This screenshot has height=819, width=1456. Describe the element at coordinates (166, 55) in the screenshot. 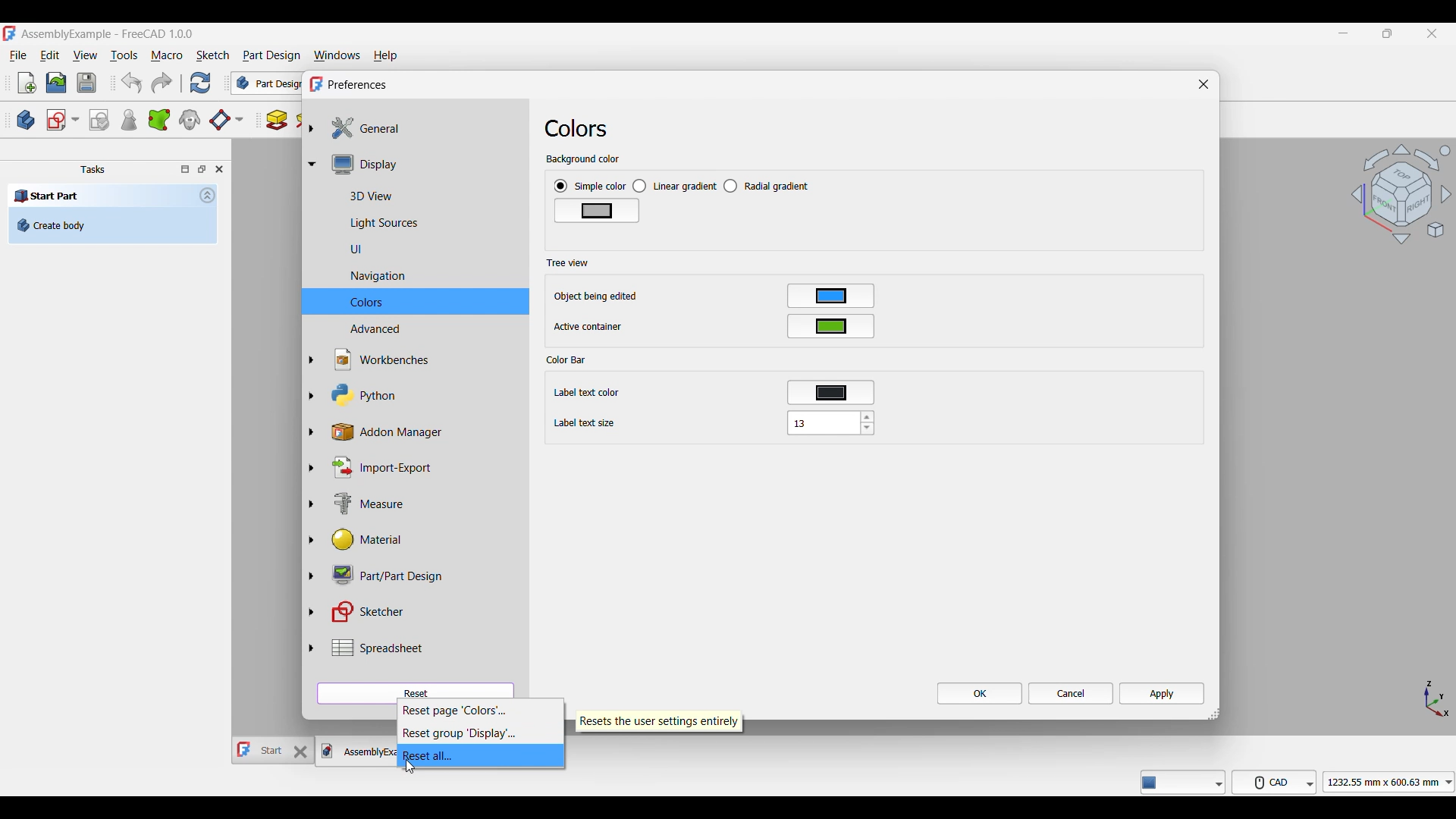

I see `Macro menu ` at that location.